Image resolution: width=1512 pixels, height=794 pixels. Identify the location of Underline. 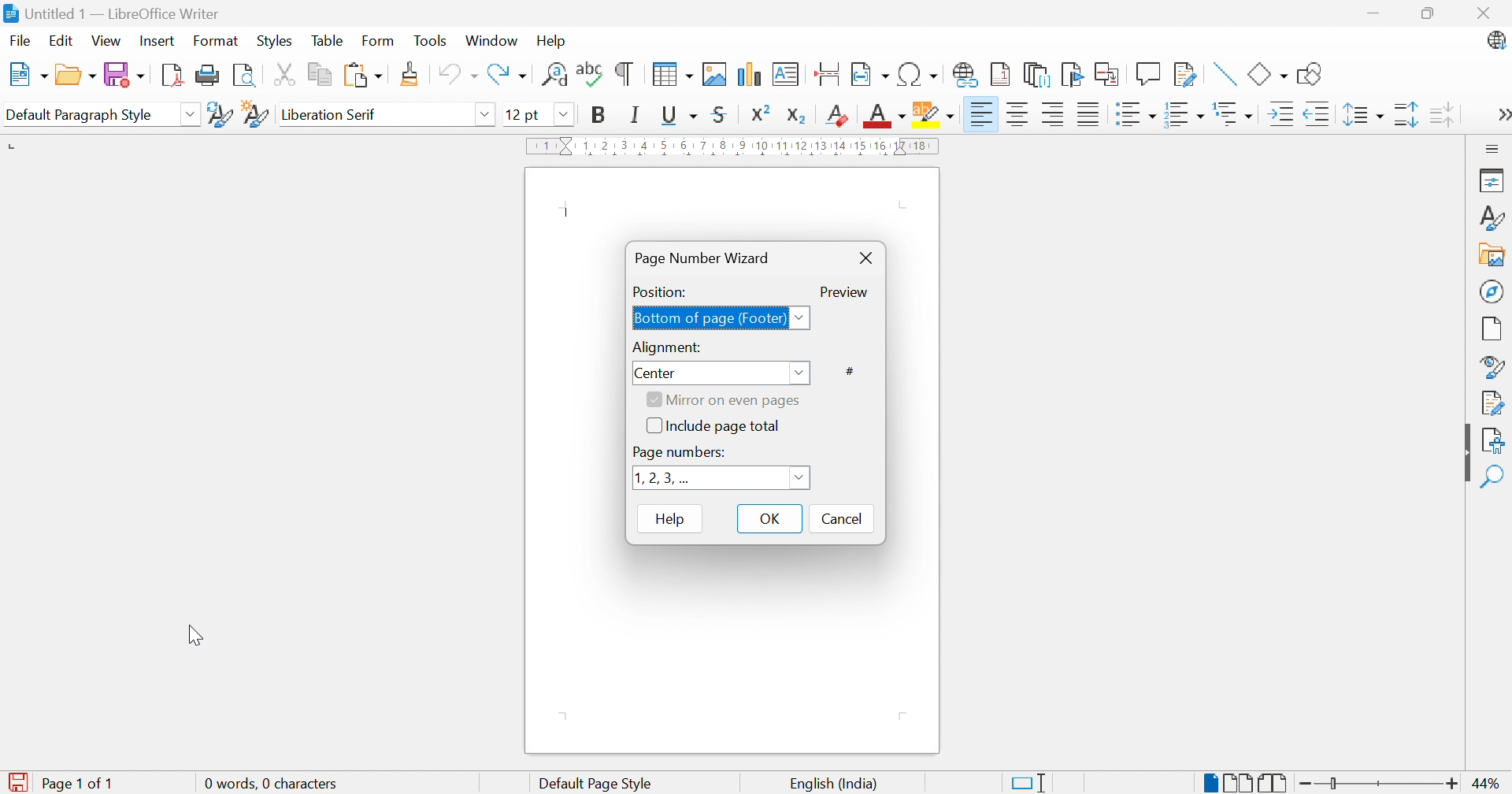
(678, 114).